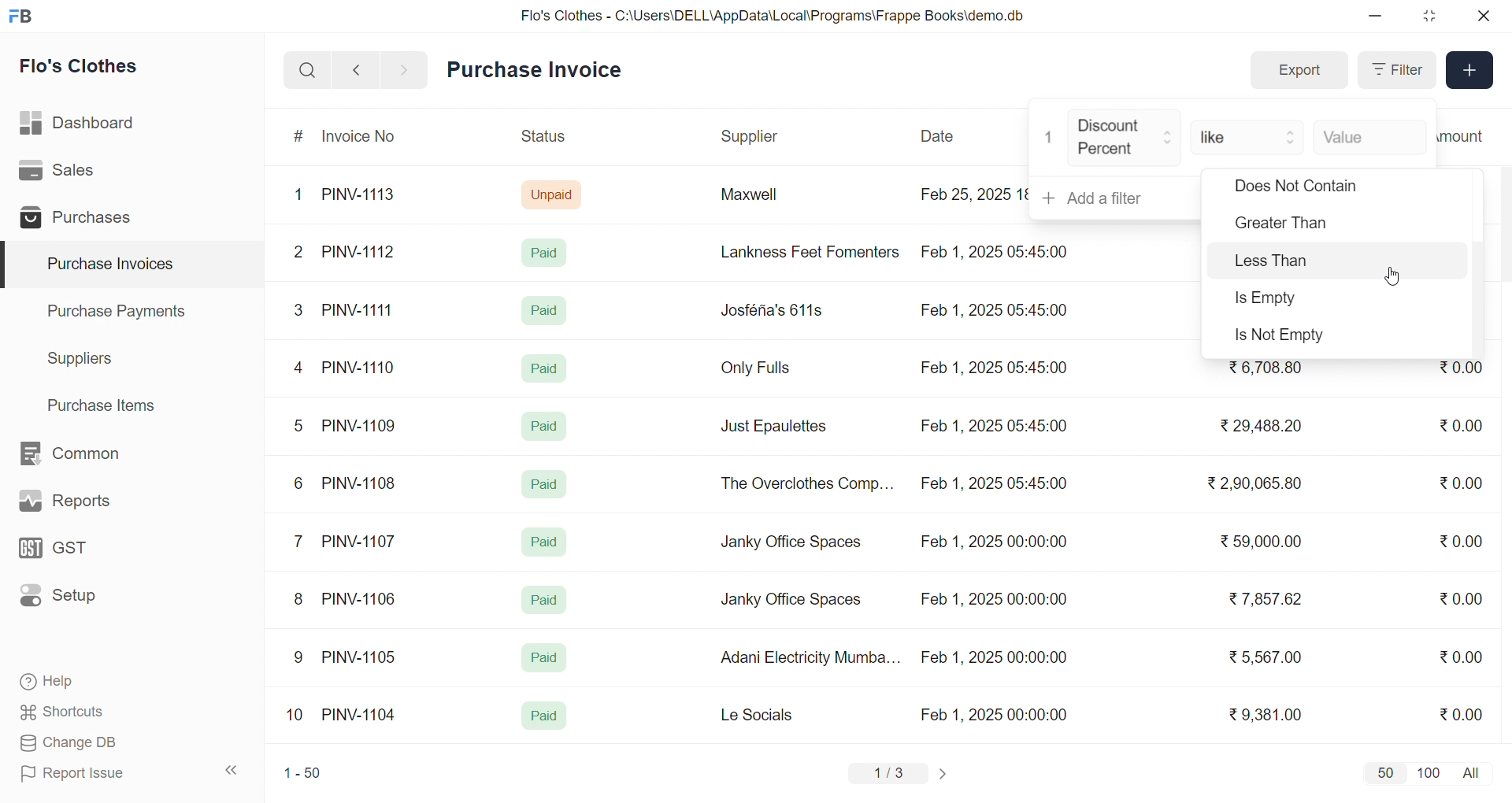  I want to click on ₹0.00, so click(1452, 426).